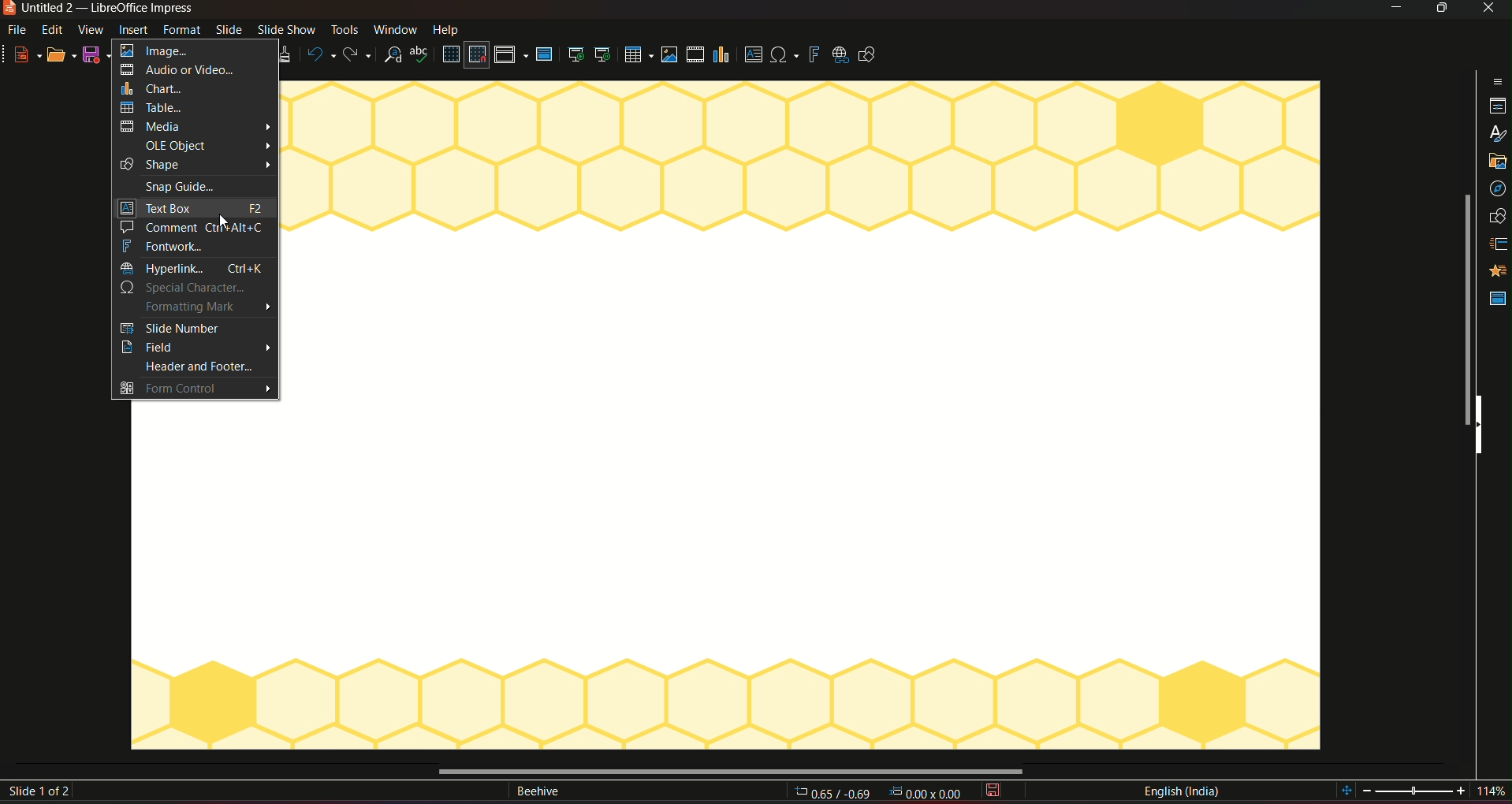 The height and width of the screenshot is (804, 1512). What do you see at coordinates (198, 165) in the screenshot?
I see `Shape` at bounding box center [198, 165].